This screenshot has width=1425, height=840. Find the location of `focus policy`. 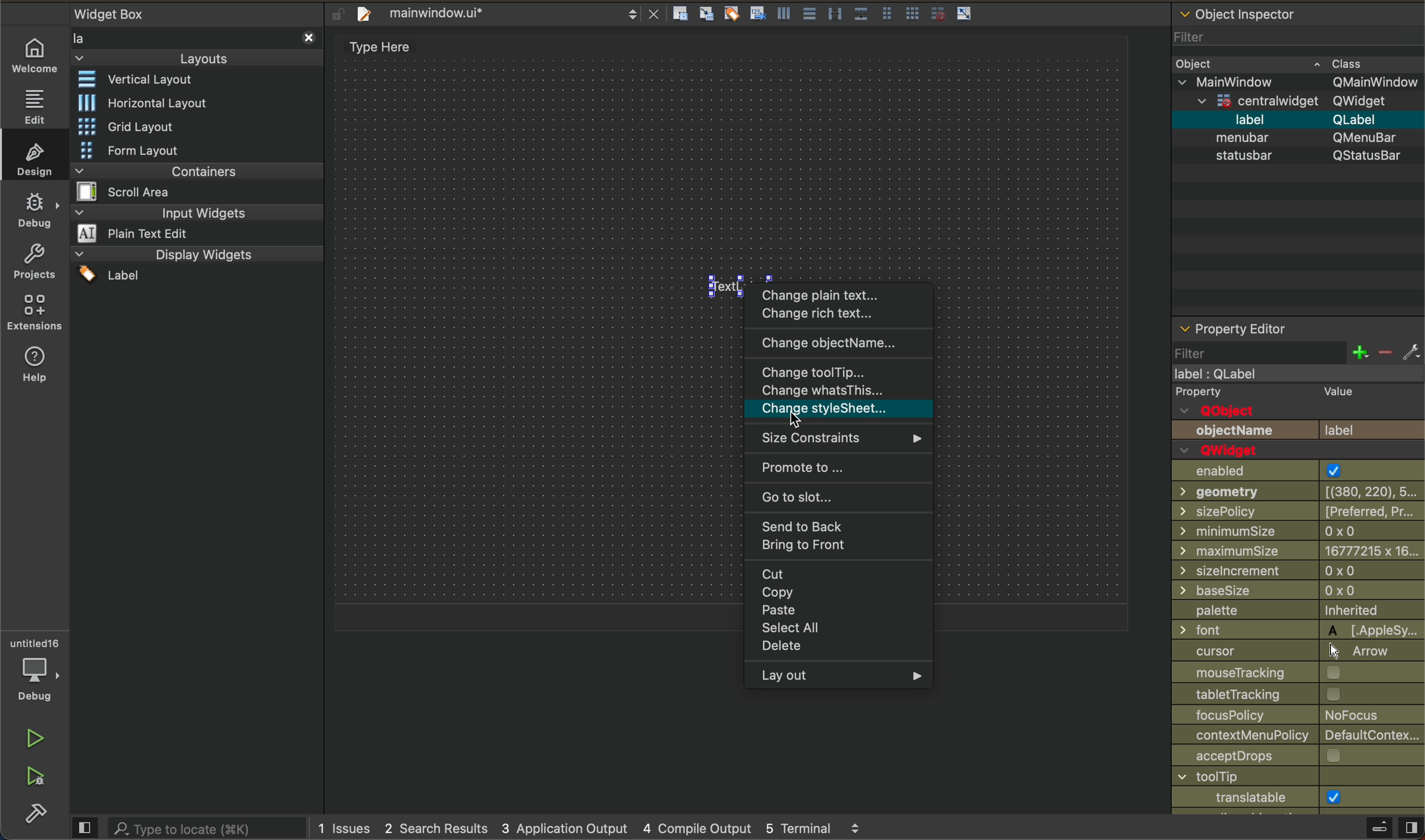

focus policy is located at coordinates (1299, 716).